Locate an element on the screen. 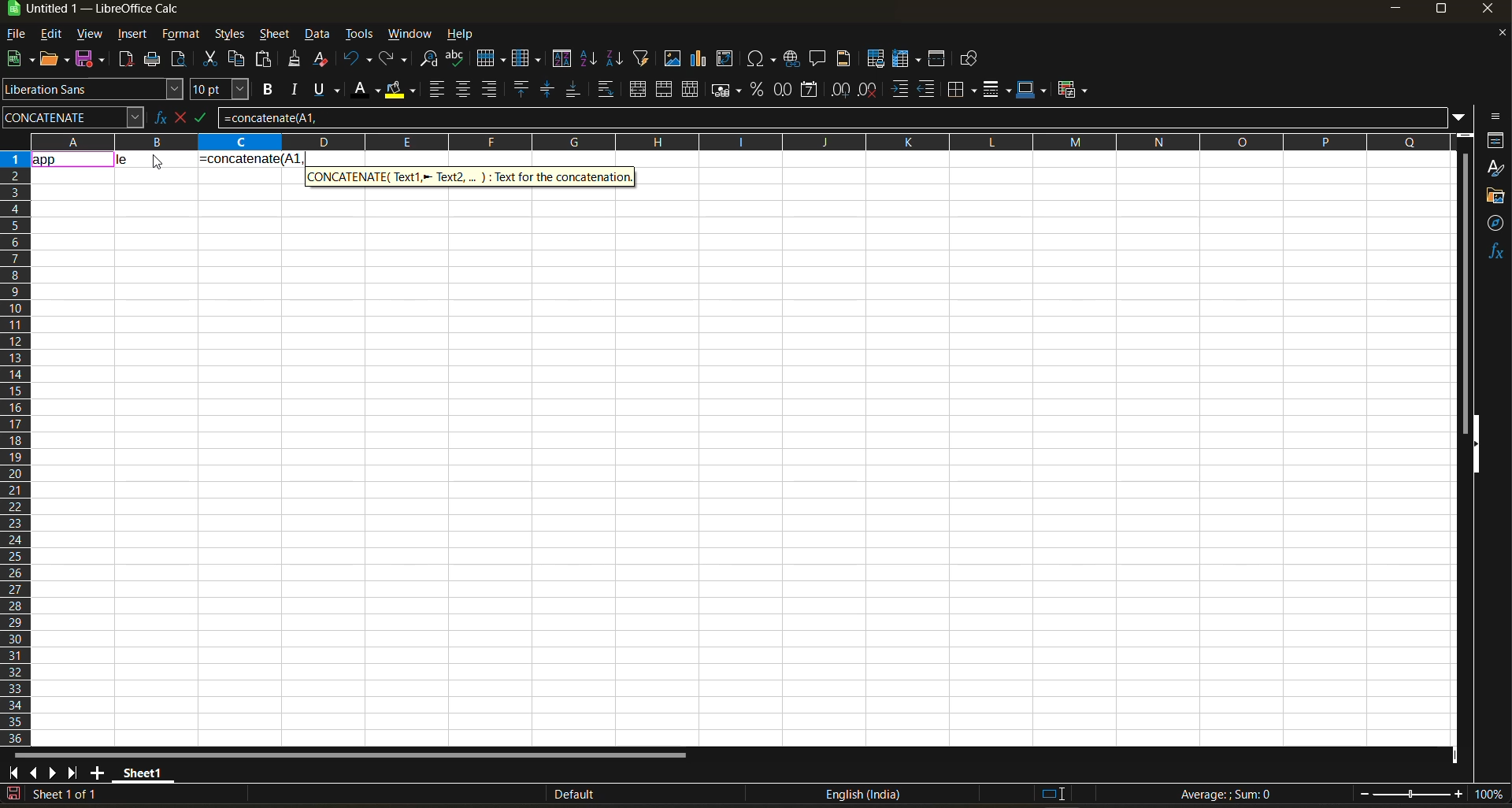 This screenshot has width=1512, height=808. zoom factor is located at coordinates (1492, 795).